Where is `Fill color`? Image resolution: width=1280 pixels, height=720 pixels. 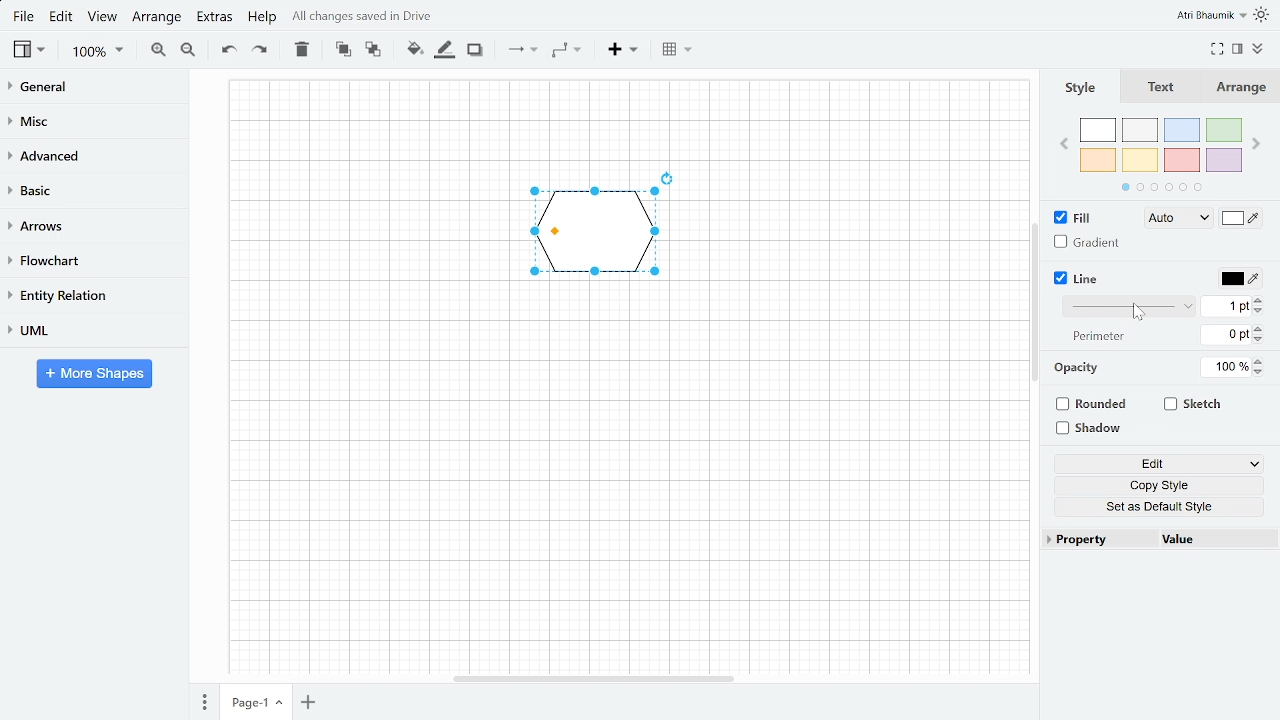
Fill color is located at coordinates (1241, 218).